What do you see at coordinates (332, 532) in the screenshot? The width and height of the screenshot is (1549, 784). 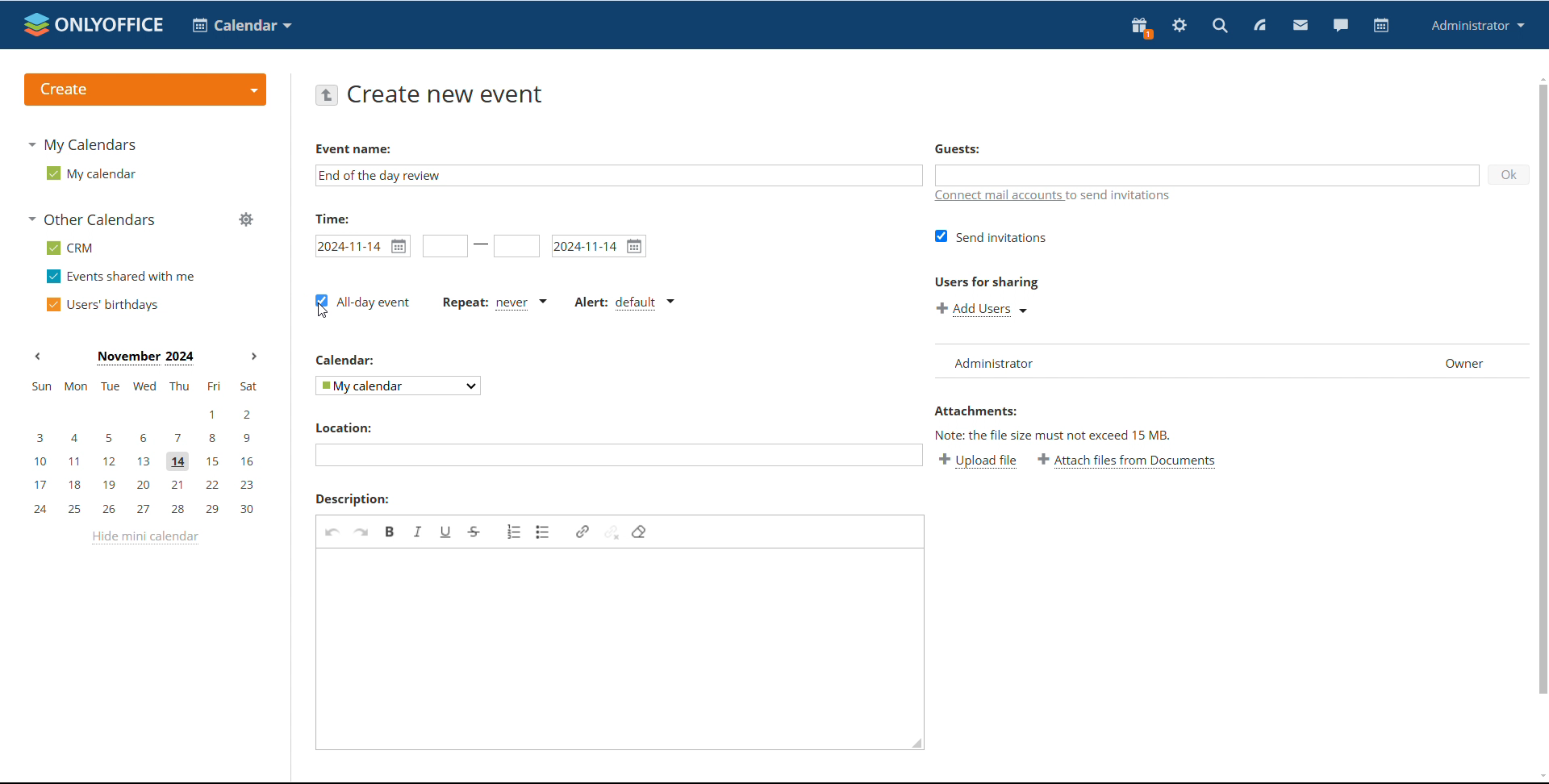 I see `undo` at bounding box center [332, 532].